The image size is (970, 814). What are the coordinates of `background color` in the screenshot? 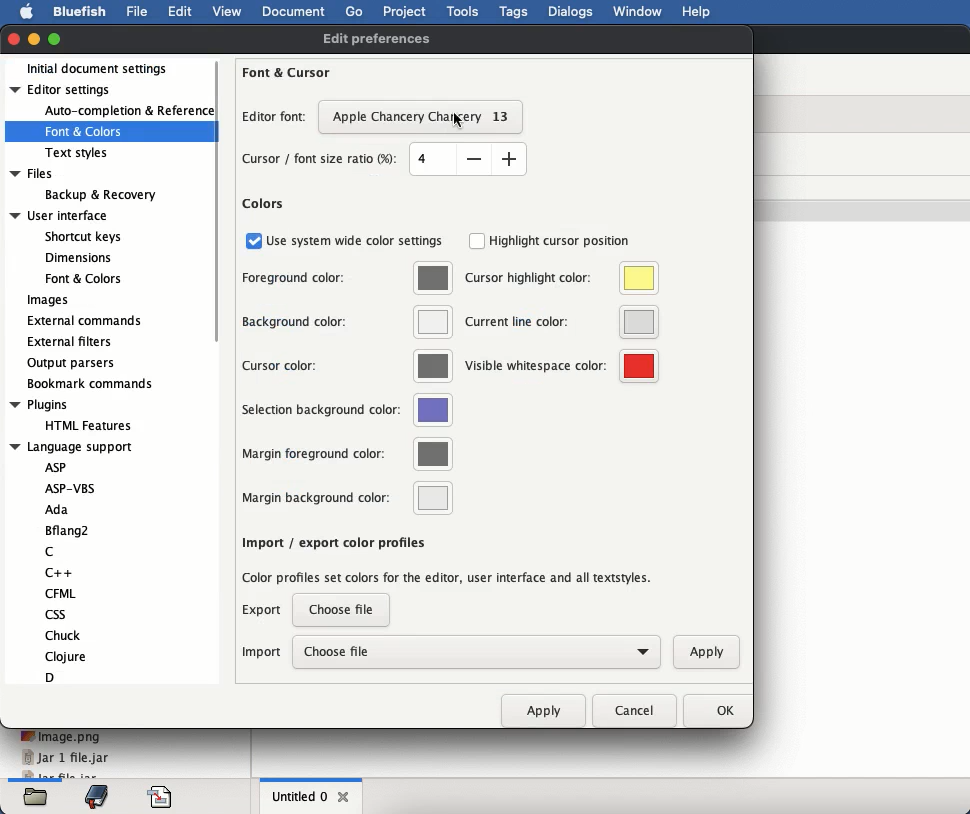 It's located at (346, 322).